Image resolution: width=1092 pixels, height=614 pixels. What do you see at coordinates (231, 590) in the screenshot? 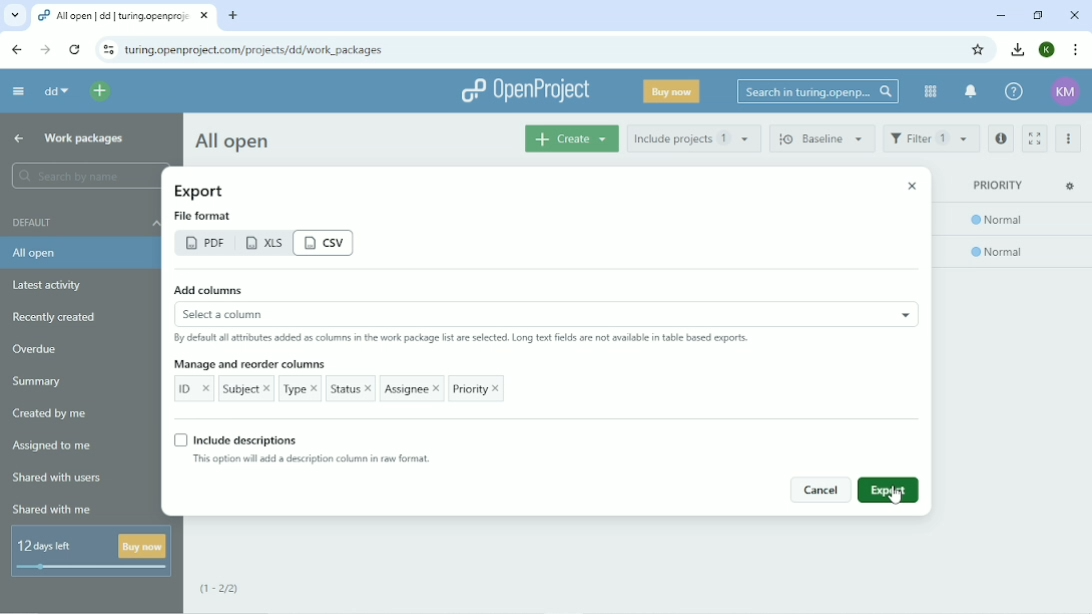
I see `(1-2/2)` at bounding box center [231, 590].